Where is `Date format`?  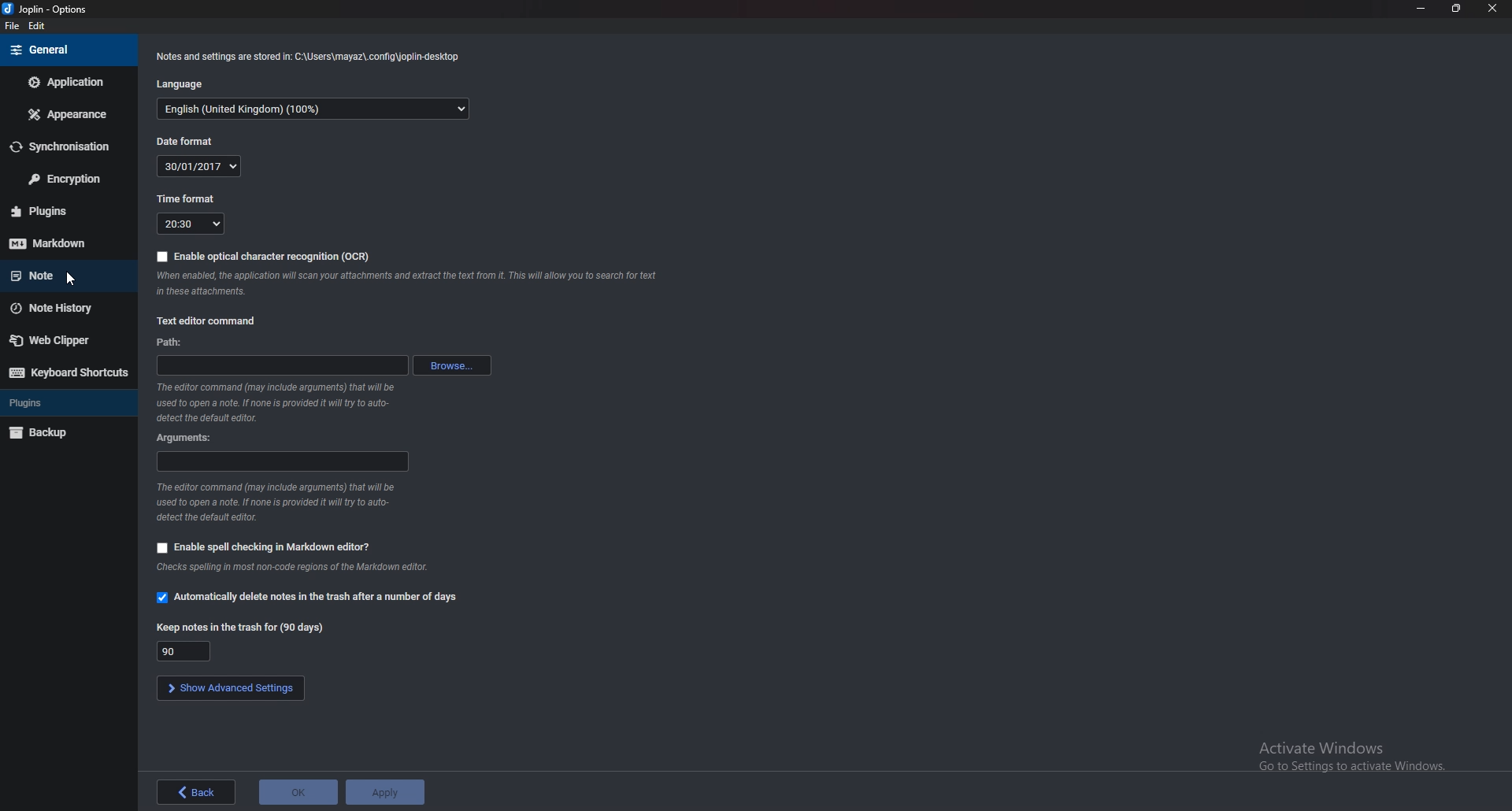
Date format is located at coordinates (187, 141).